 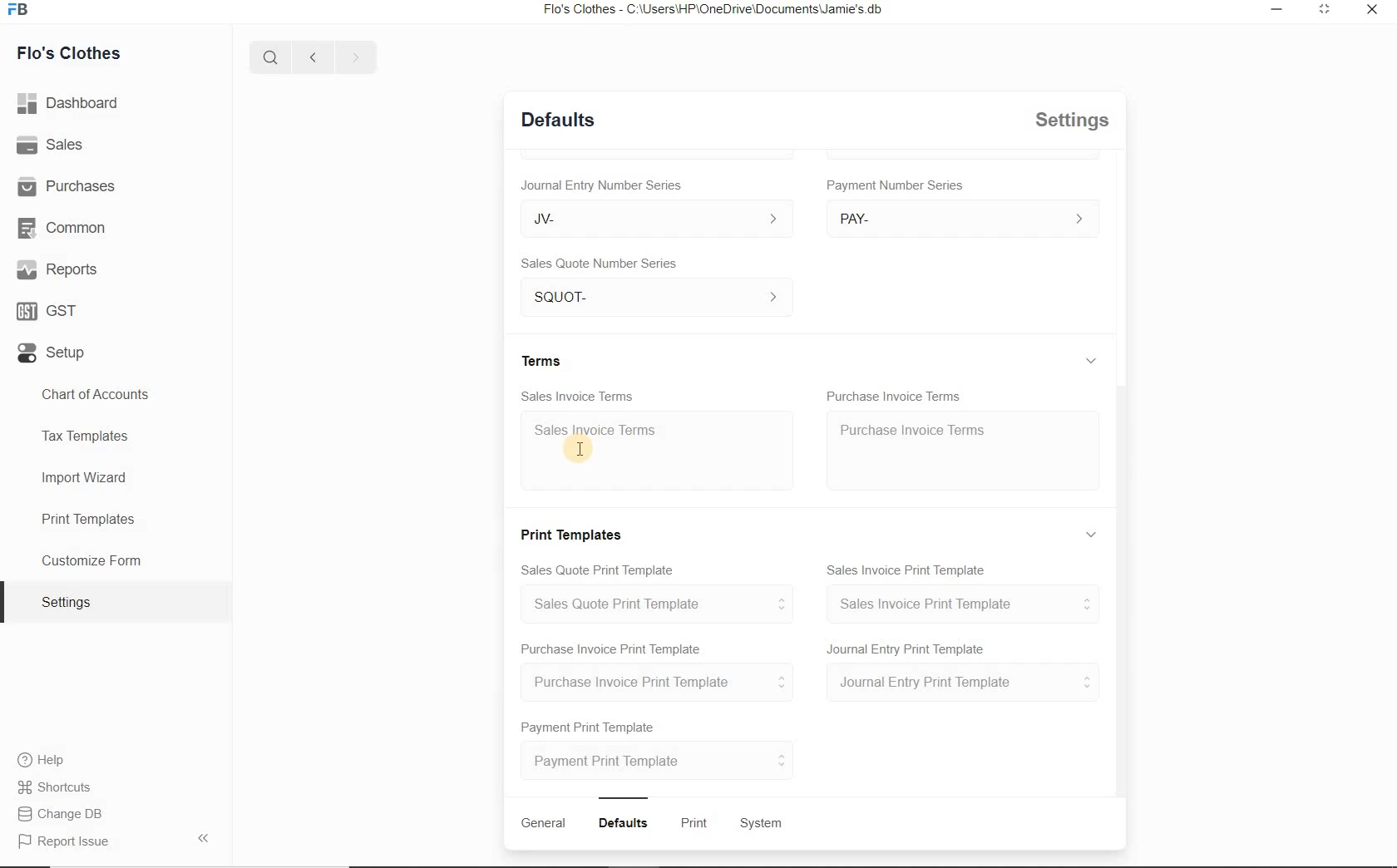 I want to click on Print Templates, so click(x=575, y=532).